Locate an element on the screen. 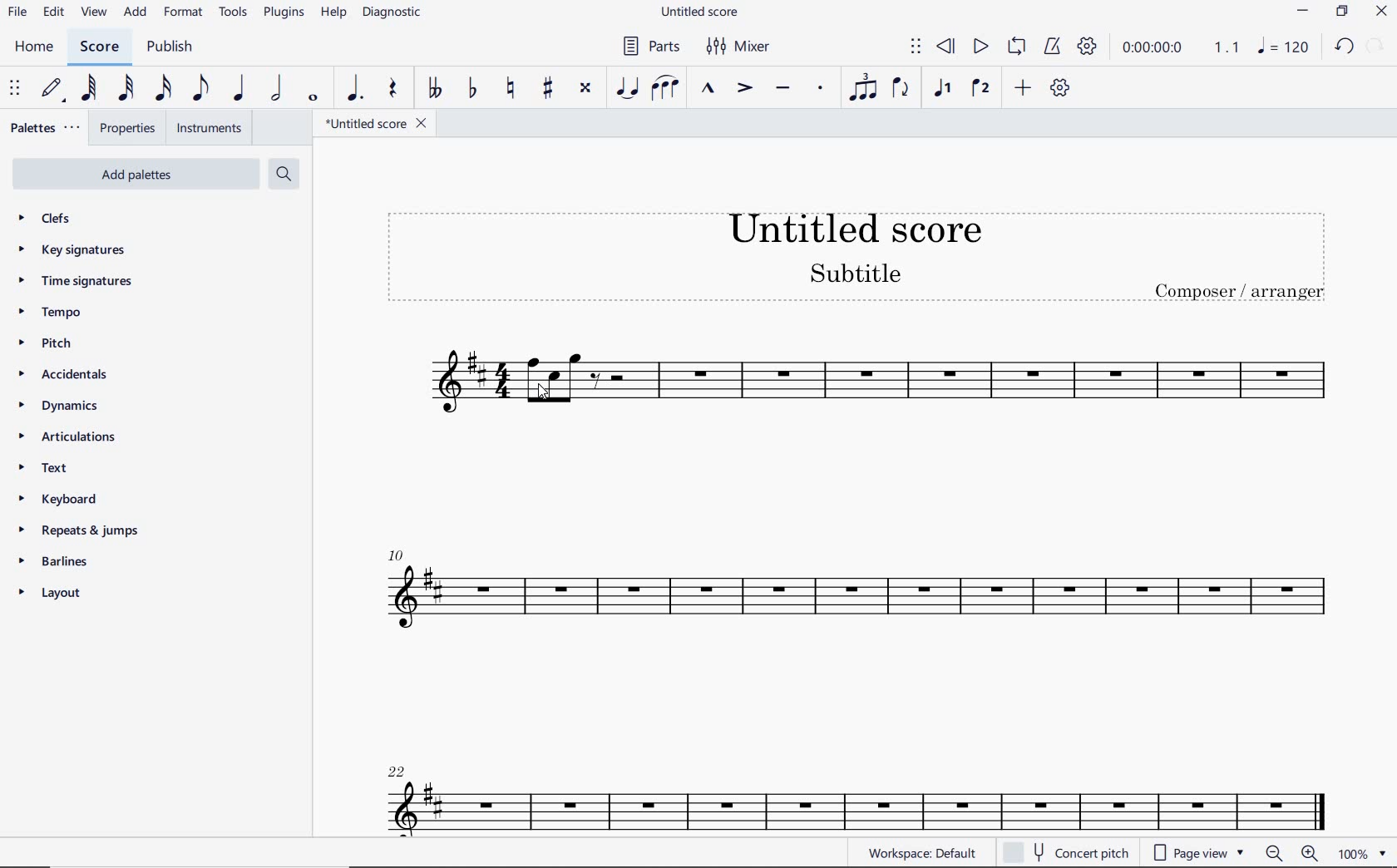  ADD is located at coordinates (135, 12).